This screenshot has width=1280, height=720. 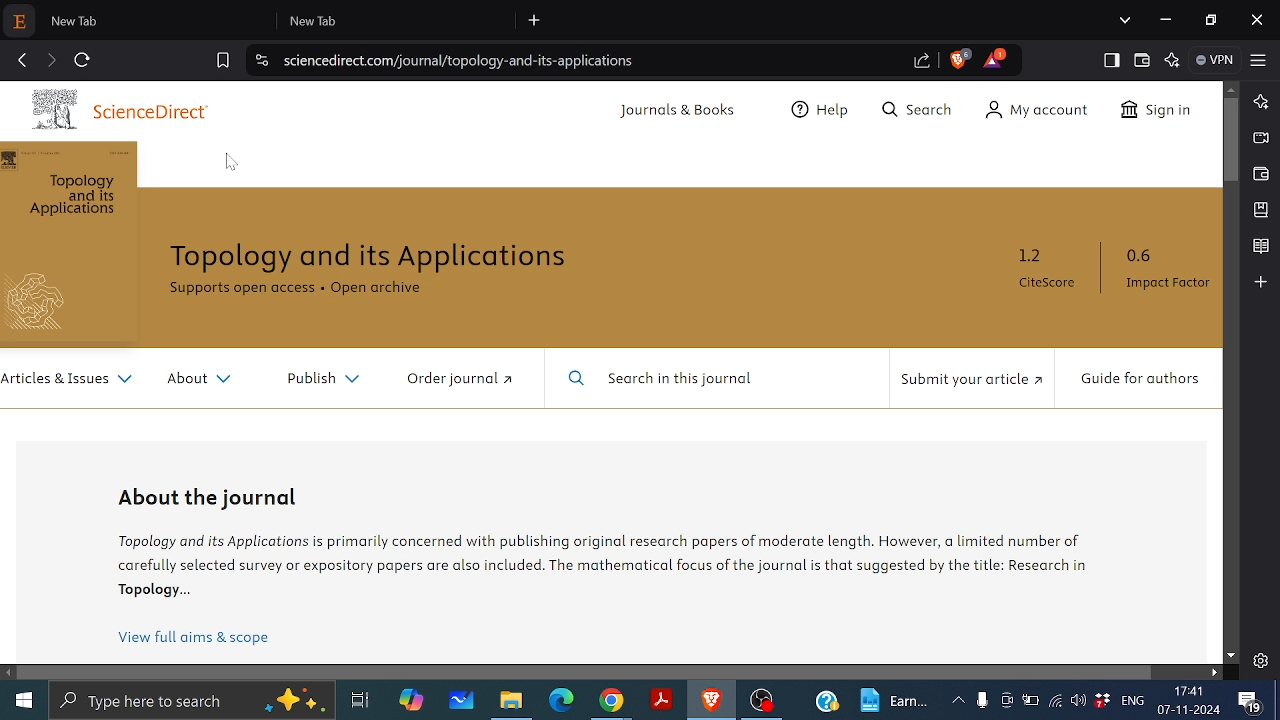 I want to click on Minimize, so click(x=1167, y=21).